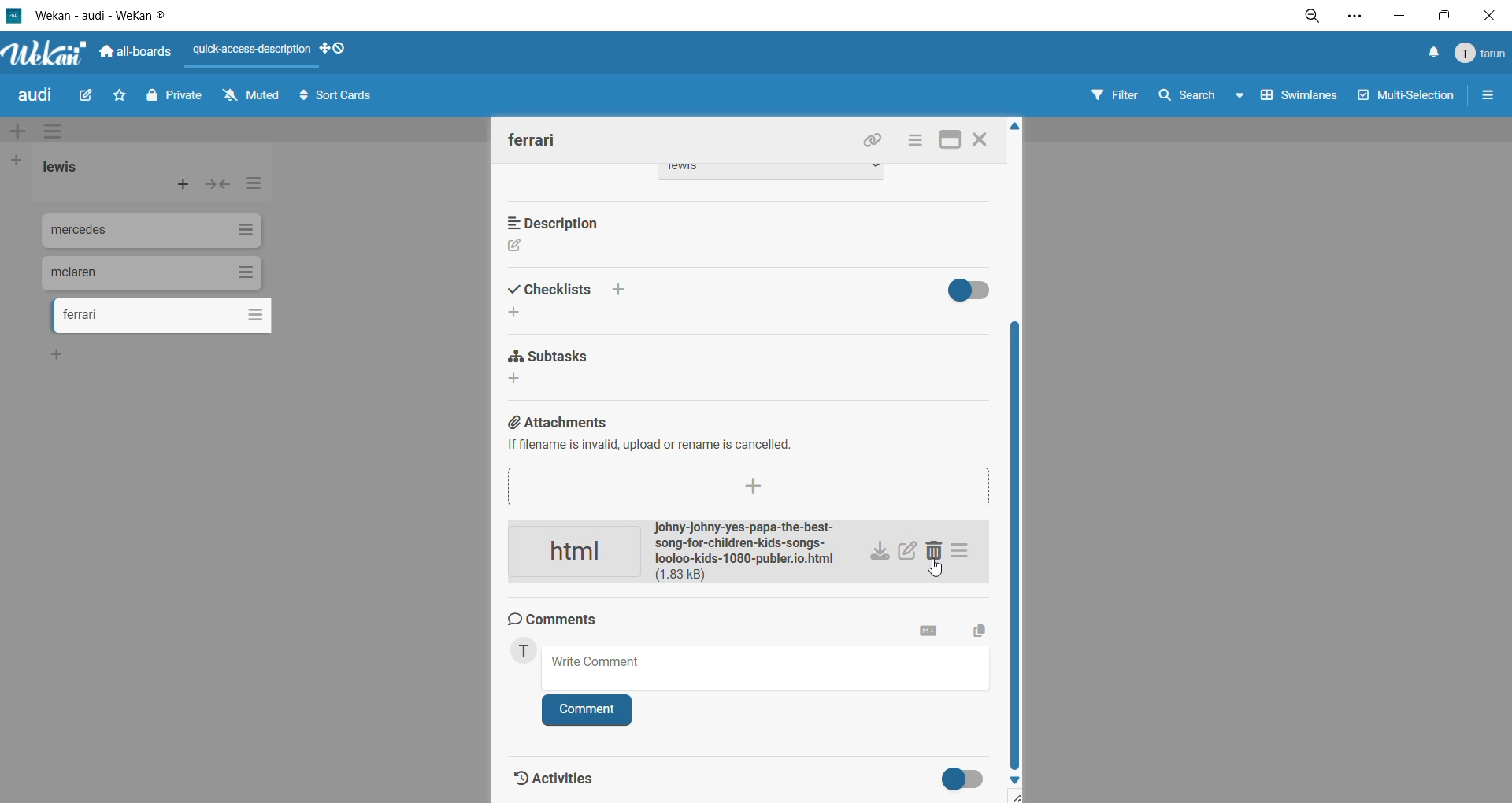 The width and height of the screenshot is (1512, 803). Describe the element at coordinates (180, 183) in the screenshot. I see `add card` at that location.